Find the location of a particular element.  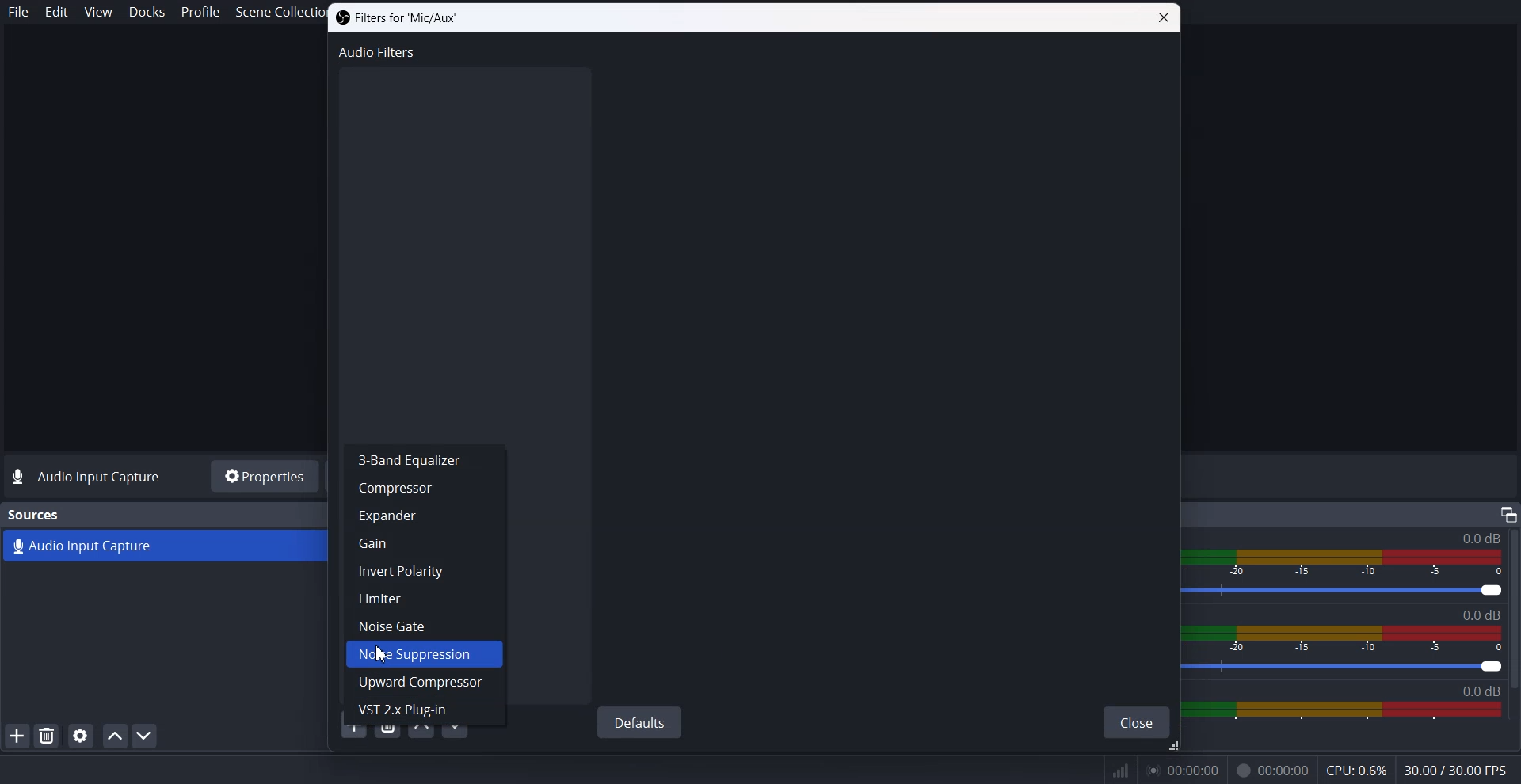

Text is located at coordinates (1486, 615).